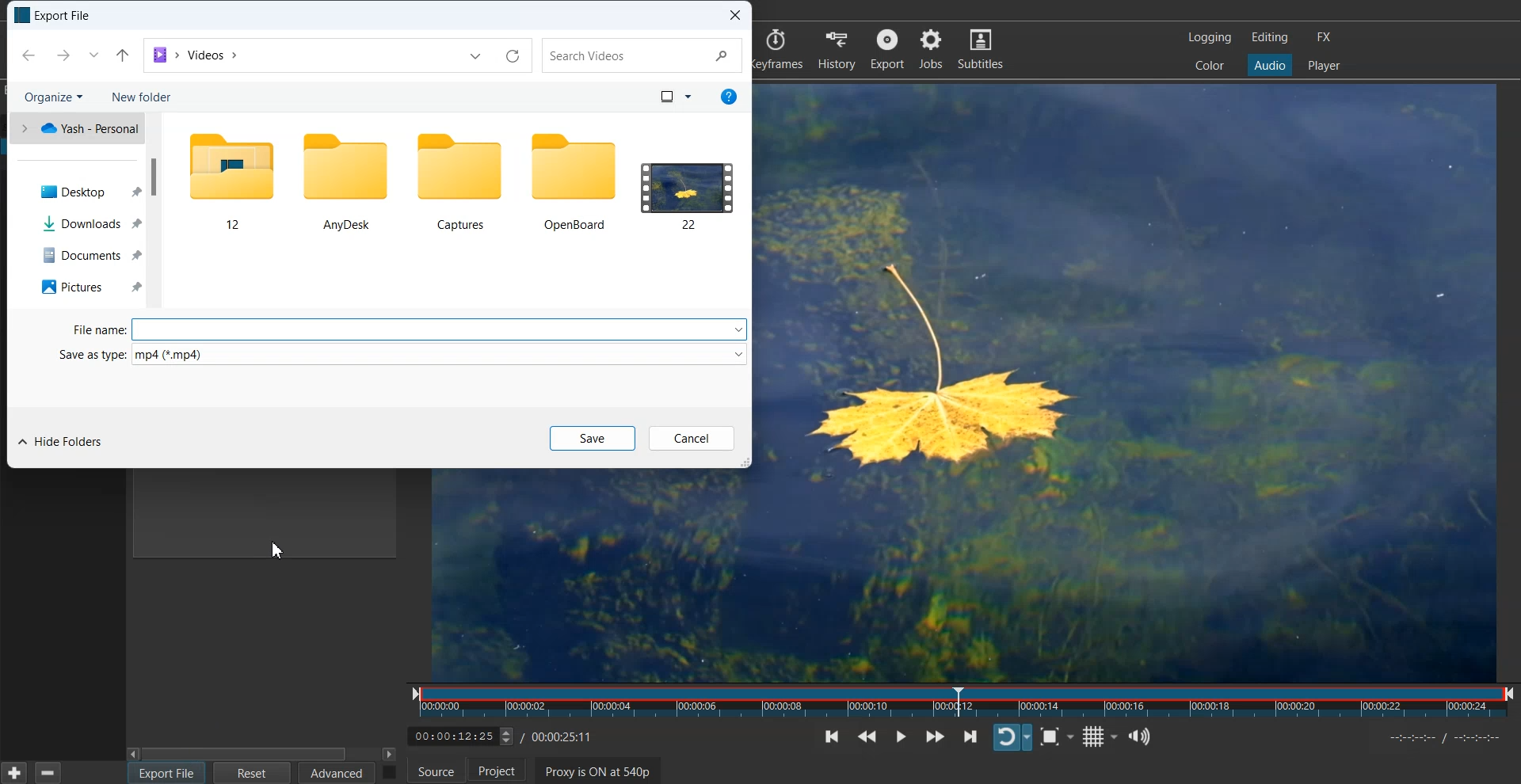  Describe the element at coordinates (692, 181) in the screenshot. I see `Files` at that location.